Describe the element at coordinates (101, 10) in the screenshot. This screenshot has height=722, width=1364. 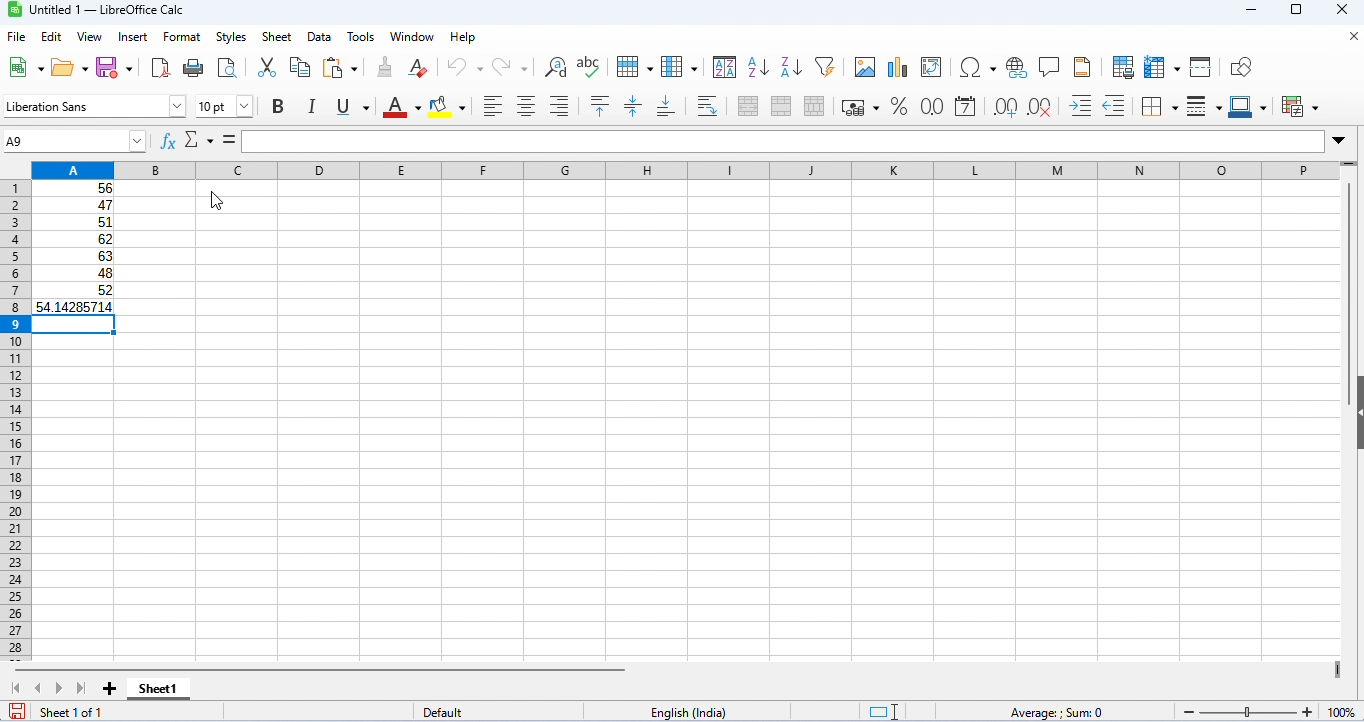
I see `title` at that location.